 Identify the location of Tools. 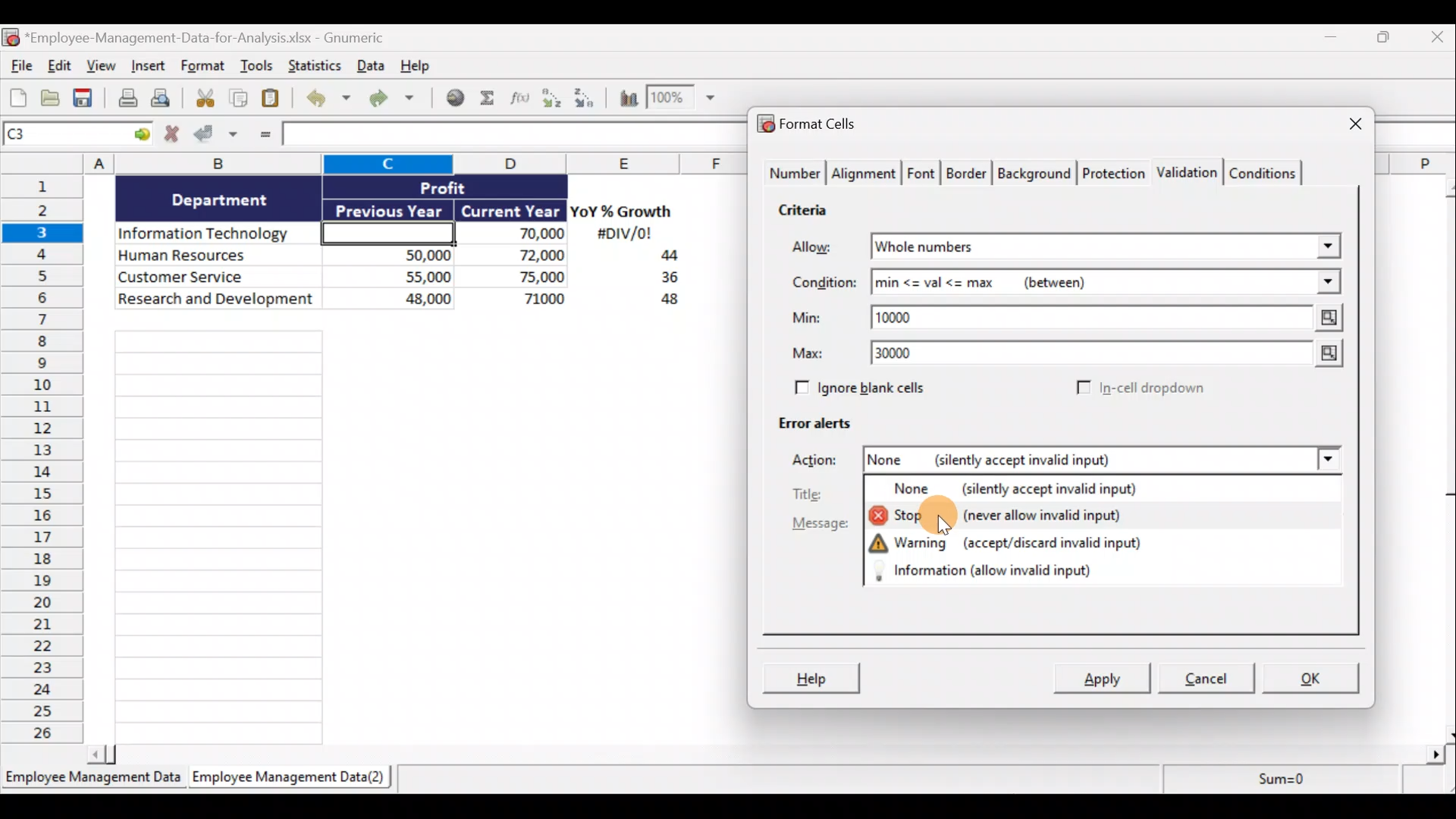
(257, 67).